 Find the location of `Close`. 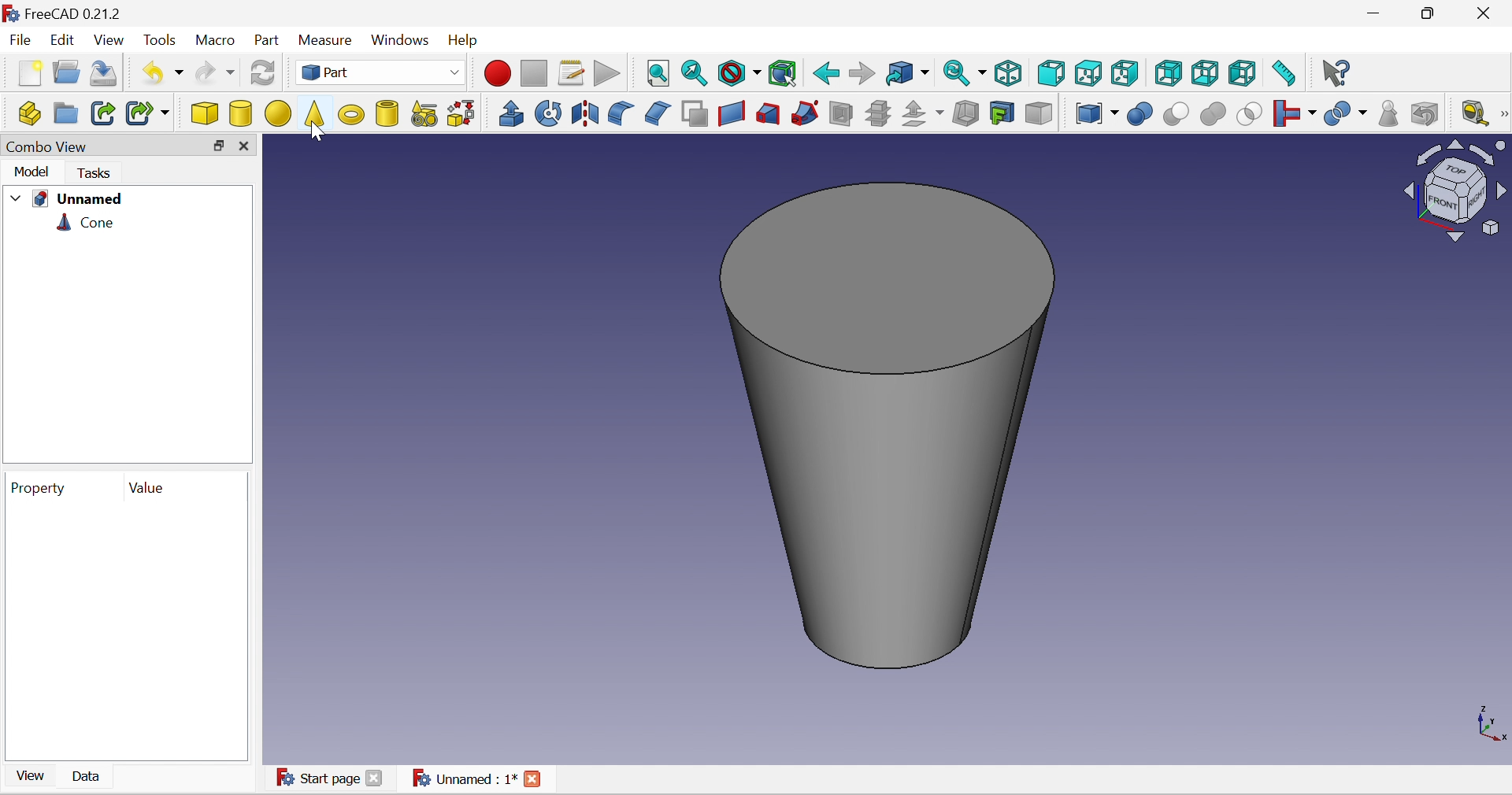

Close is located at coordinates (245, 146).